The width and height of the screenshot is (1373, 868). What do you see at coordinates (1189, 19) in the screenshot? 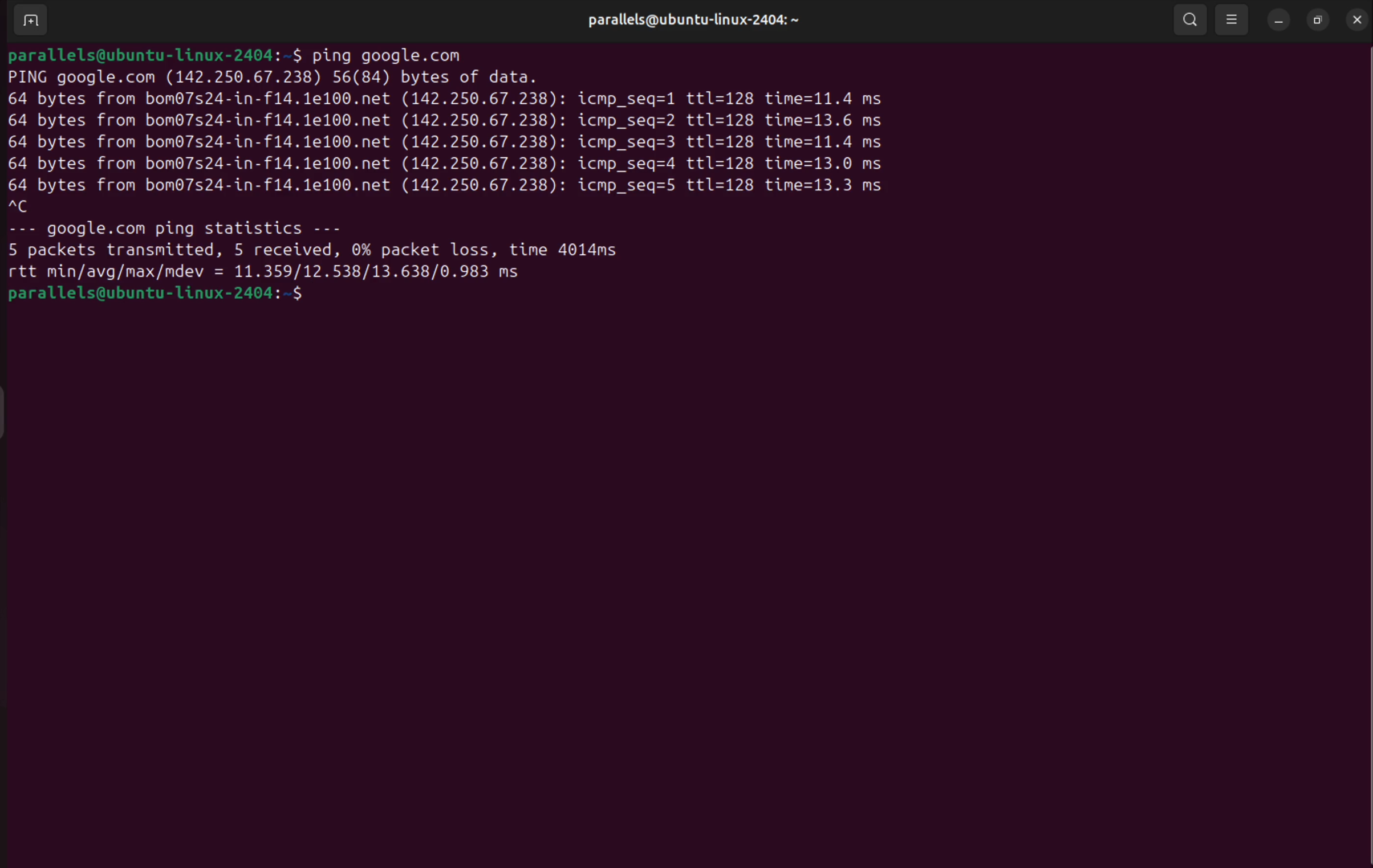
I see `search` at bounding box center [1189, 19].